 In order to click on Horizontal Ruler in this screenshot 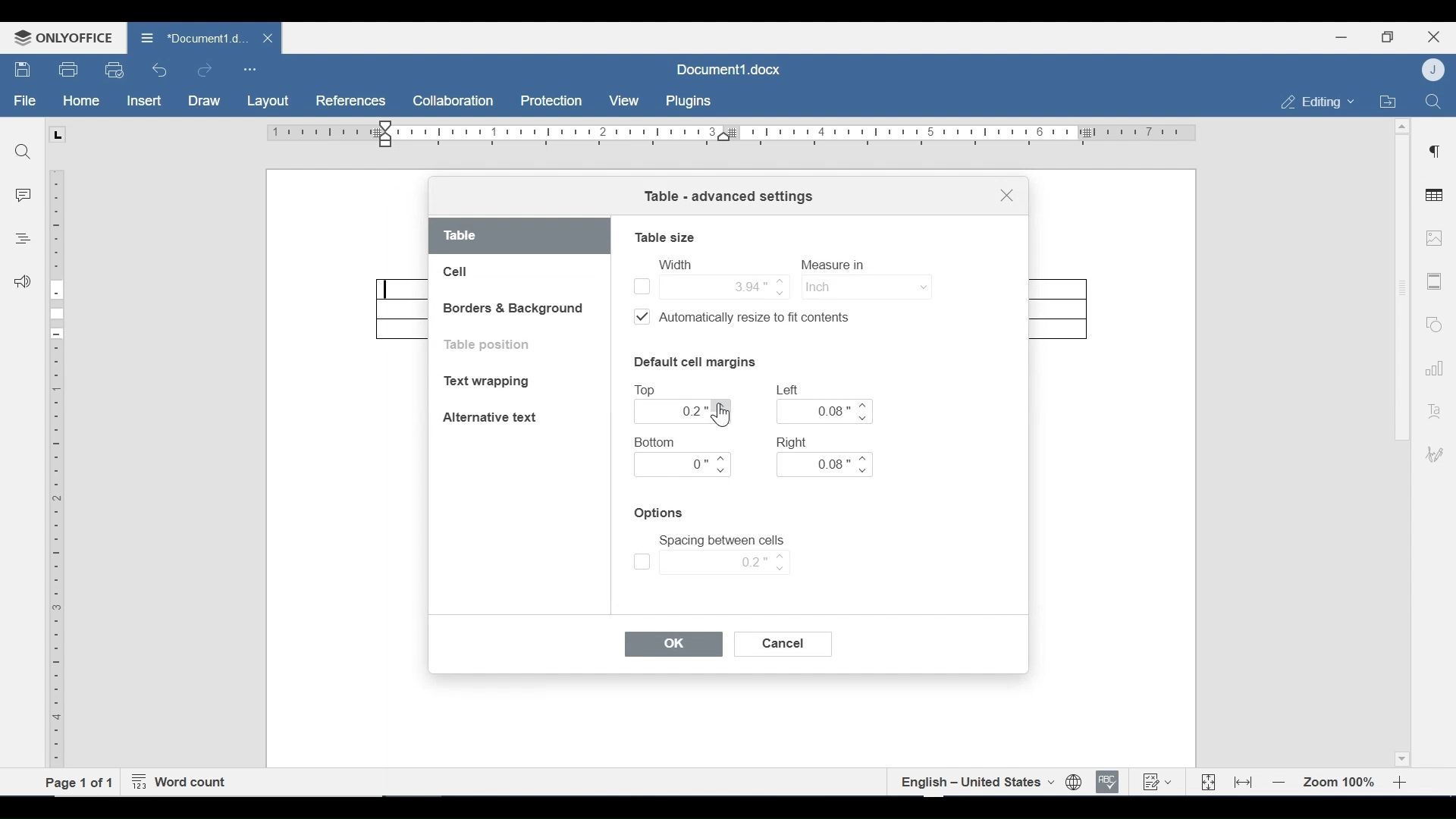, I will do `click(730, 133)`.